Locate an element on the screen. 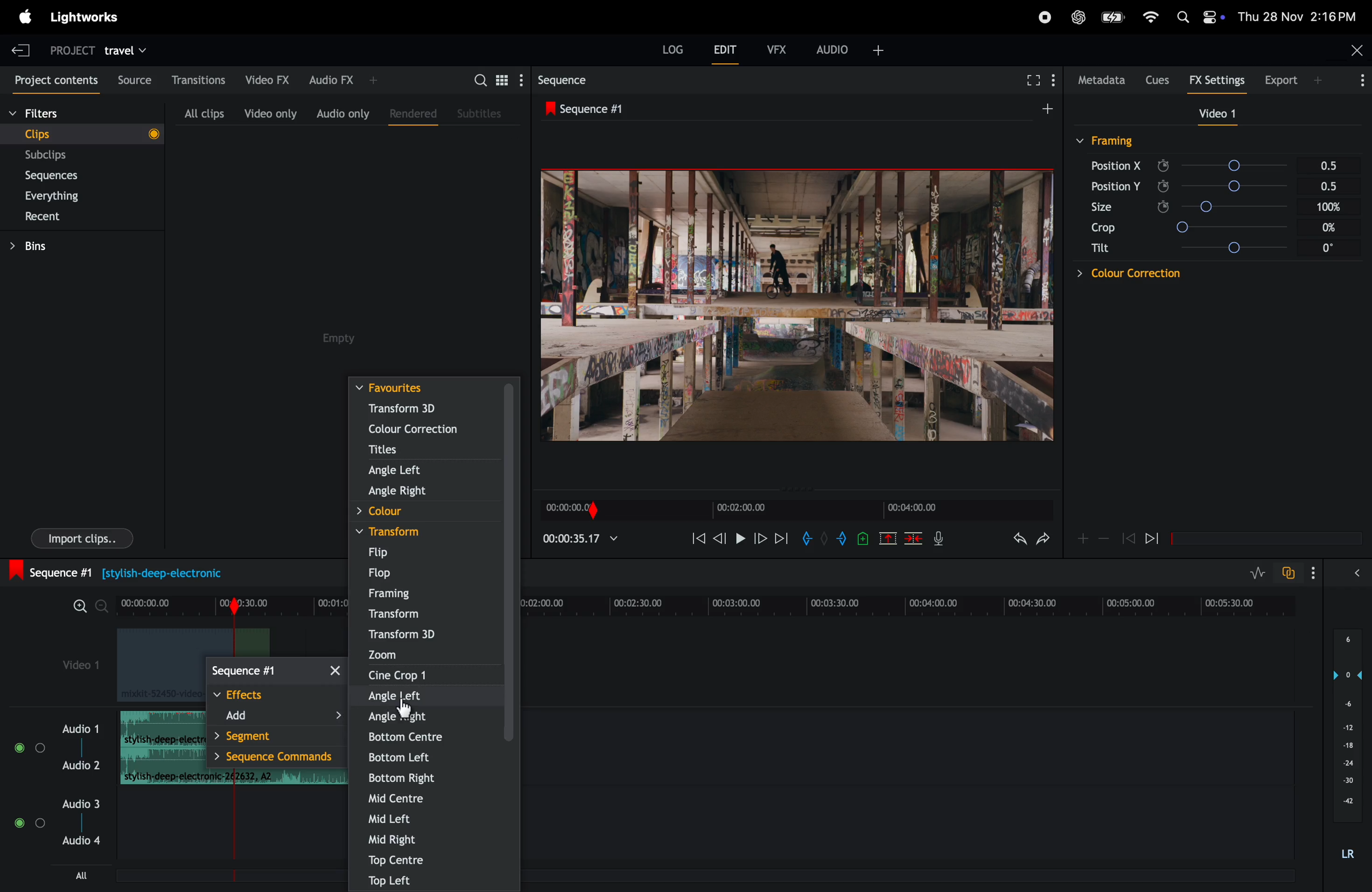 This screenshot has width=1372, height=892. chatgpt is located at coordinates (1080, 16).